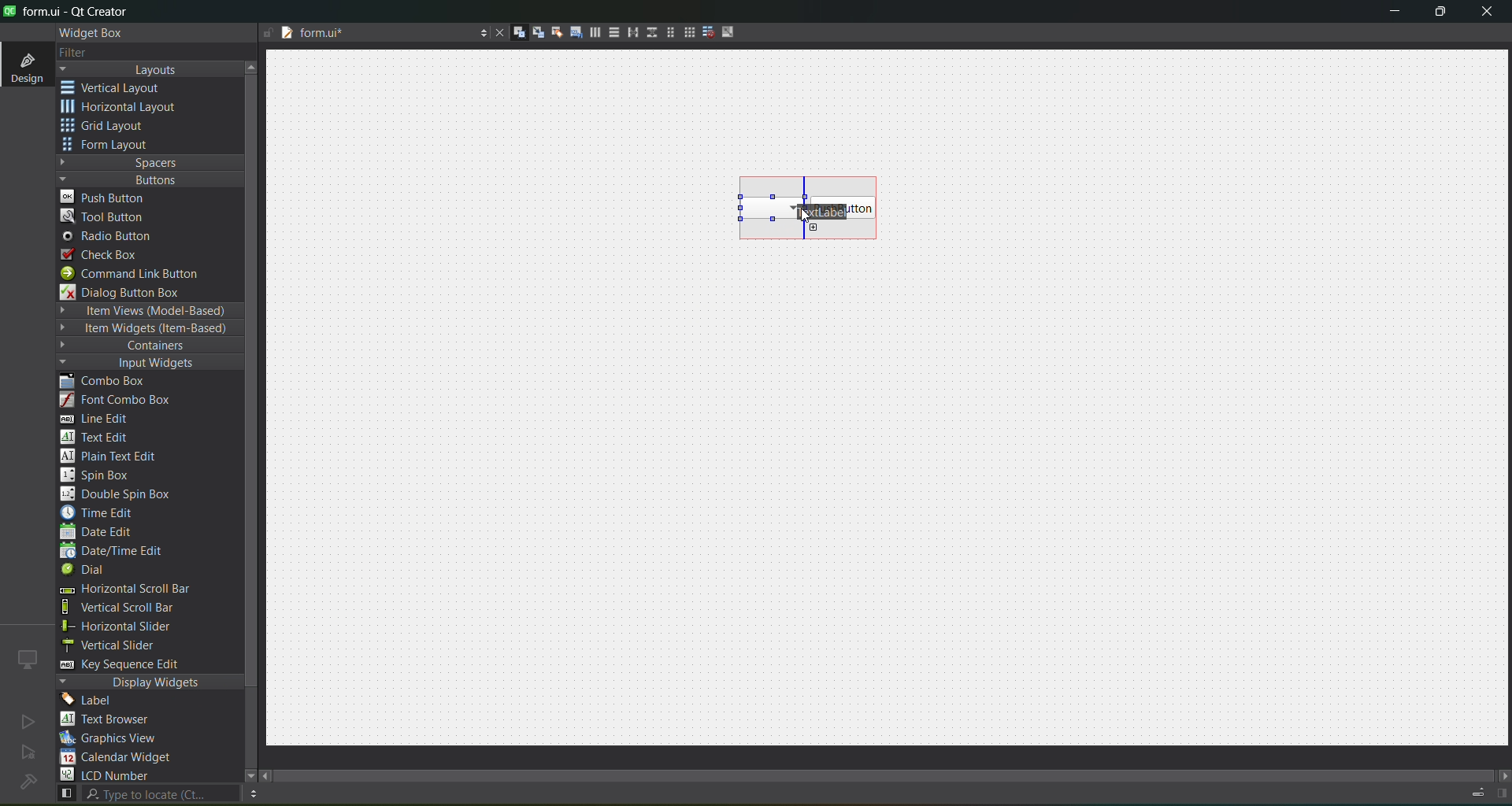 This screenshot has height=806, width=1512. What do you see at coordinates (804, 220) in the screenshot?
I see `cursor` at bounding box center [804, 220].